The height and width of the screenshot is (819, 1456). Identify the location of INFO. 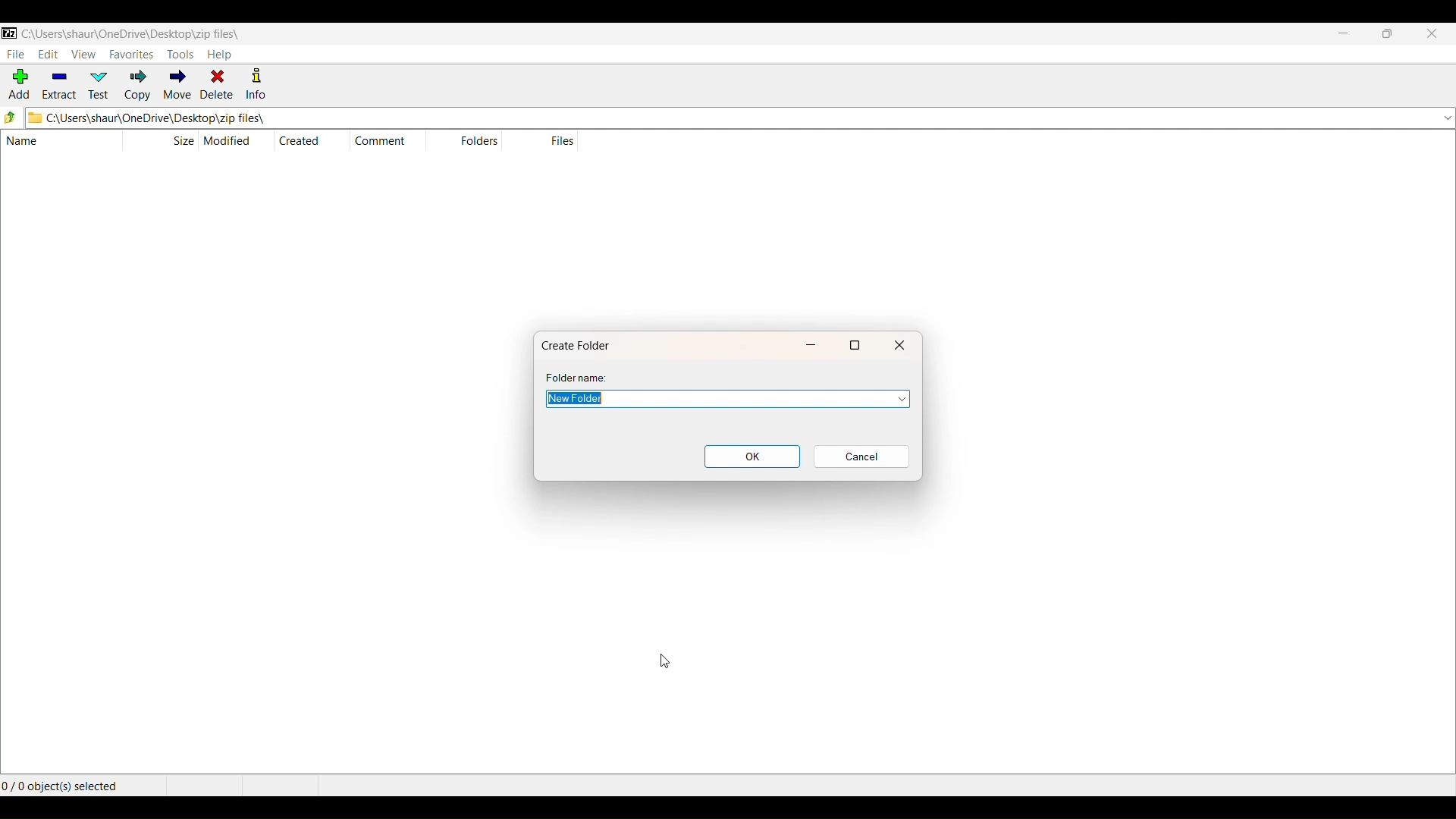
(259, 85).